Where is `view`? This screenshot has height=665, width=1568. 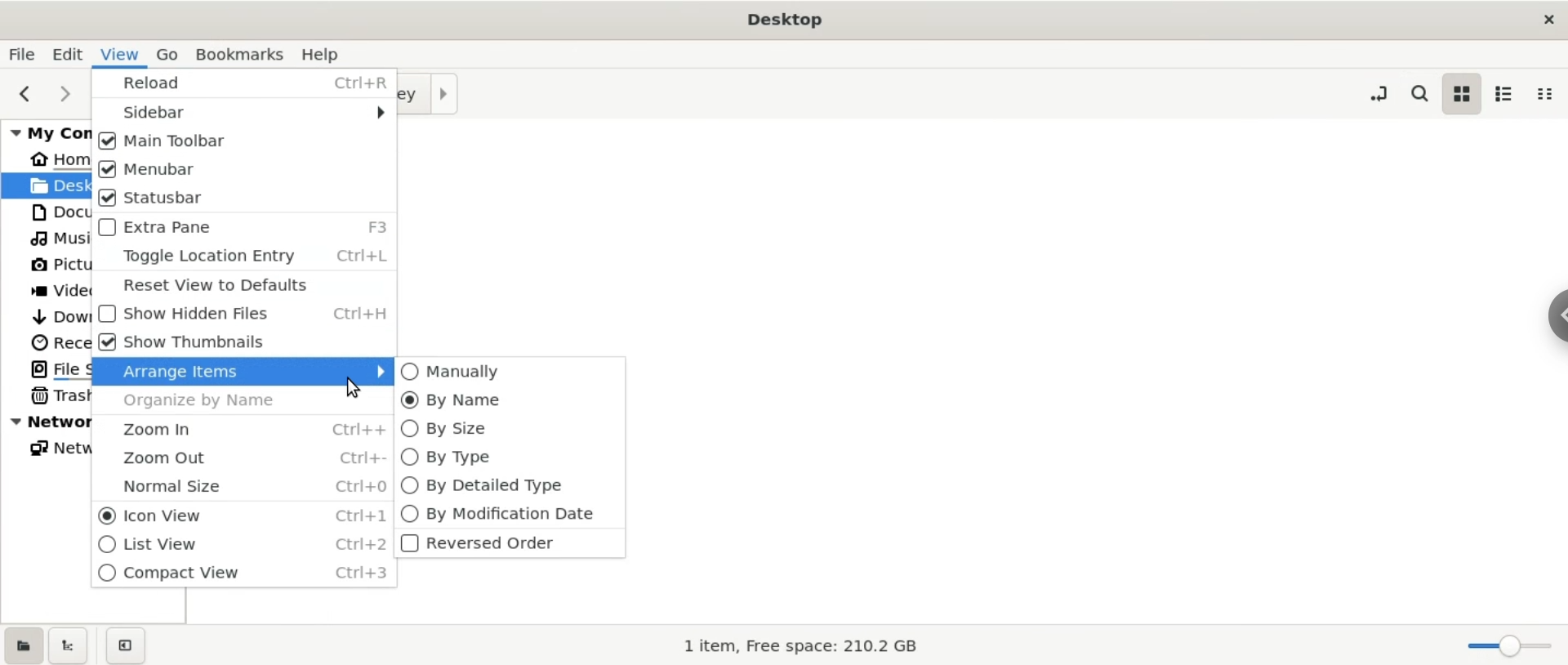 view is located at coordinates (123, 56).